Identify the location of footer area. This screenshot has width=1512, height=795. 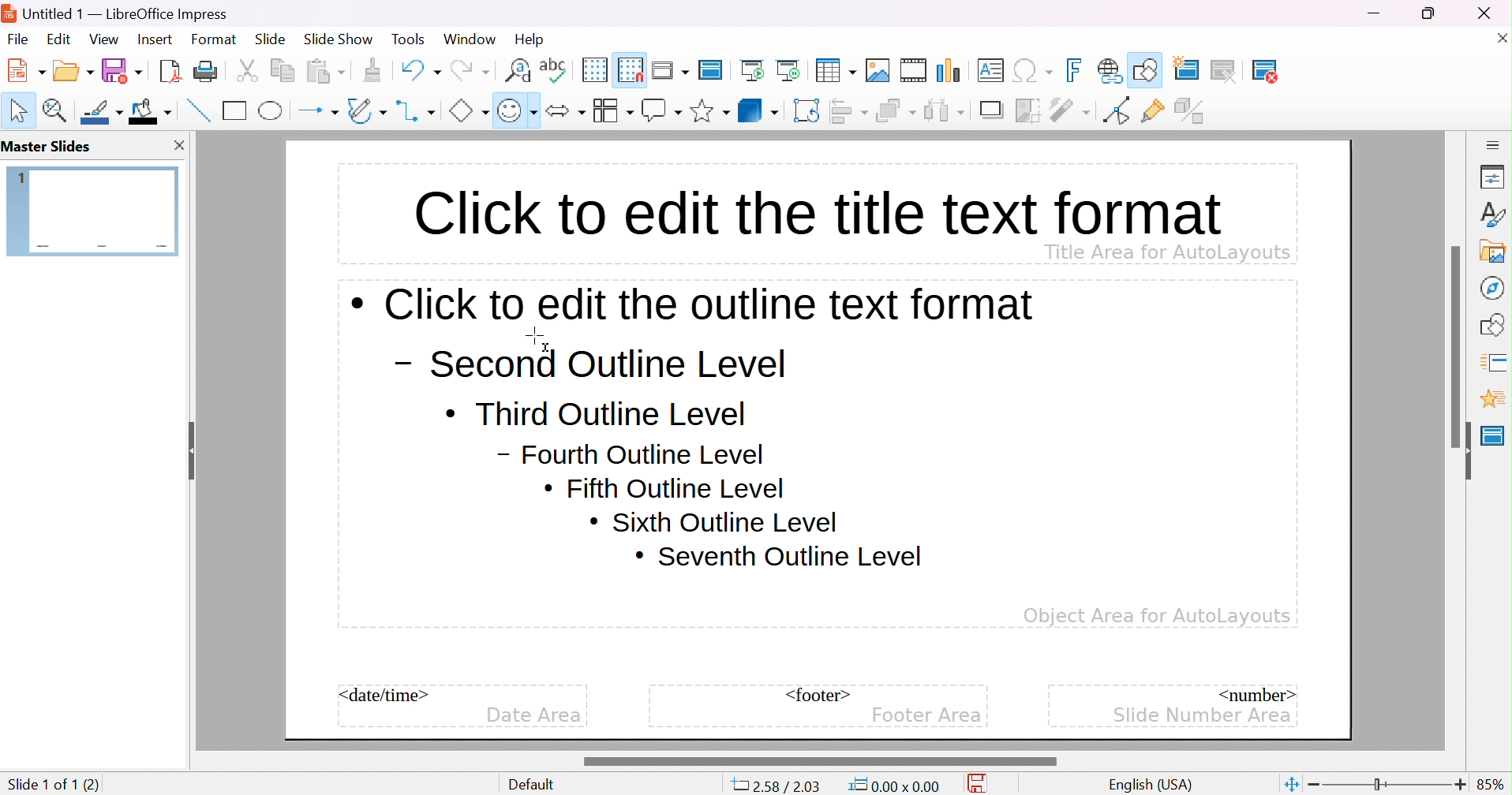
(926, 715).